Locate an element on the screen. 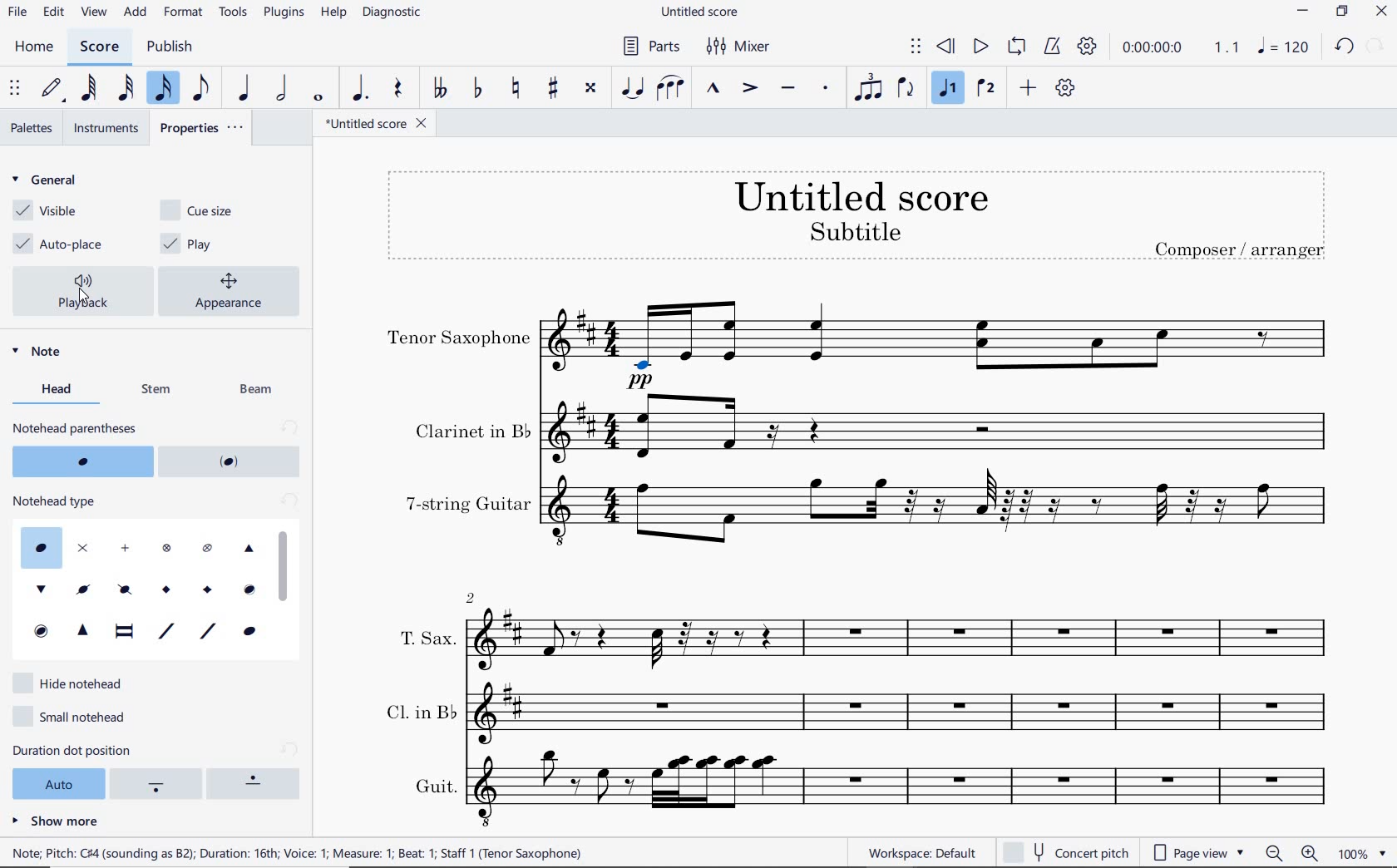  beam is located at coordinates (261, 391).